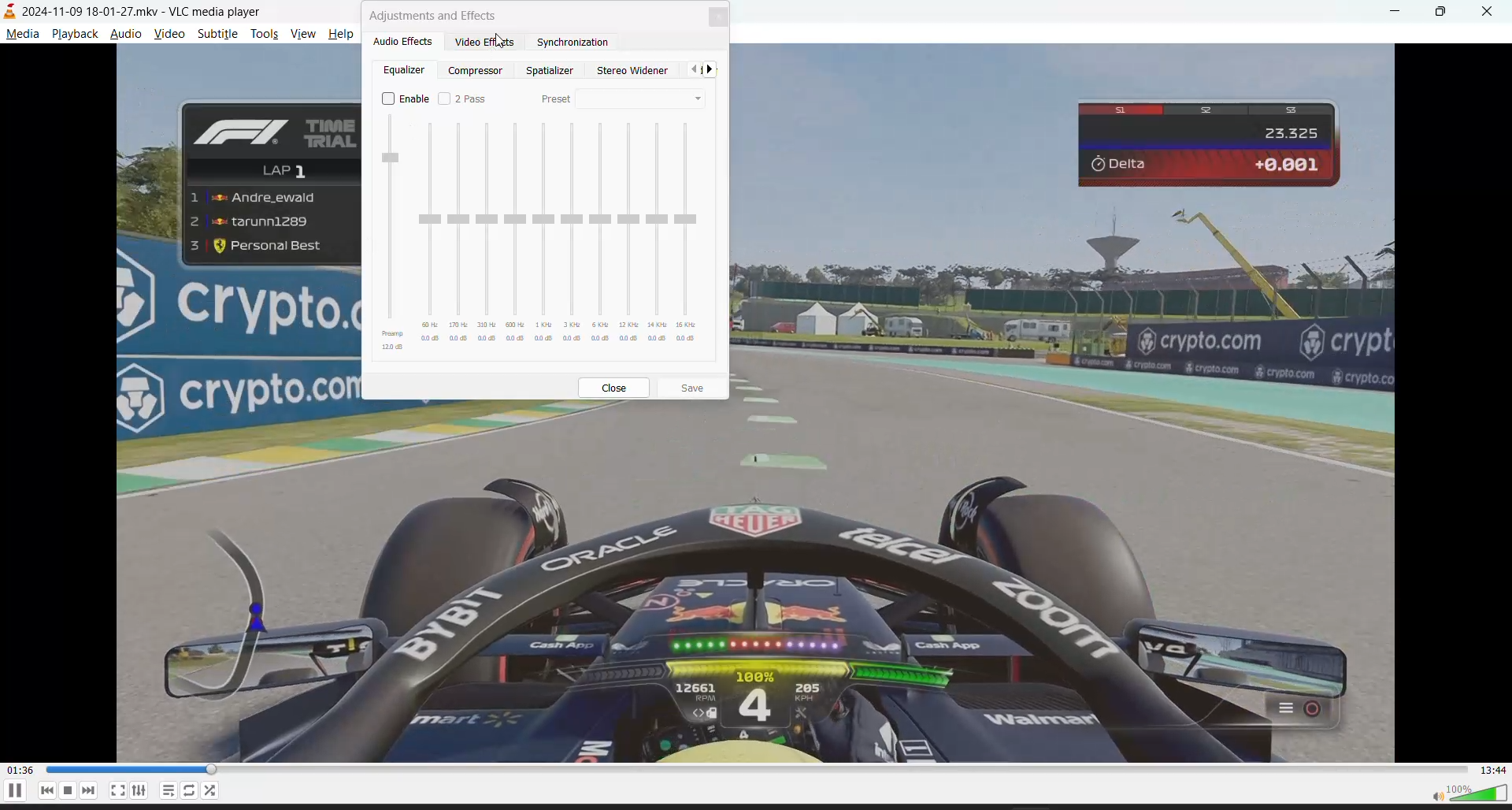  What do you see at coordinates (213, 790) in the screenshot?
I see `random` at bounding box center [213, 790].